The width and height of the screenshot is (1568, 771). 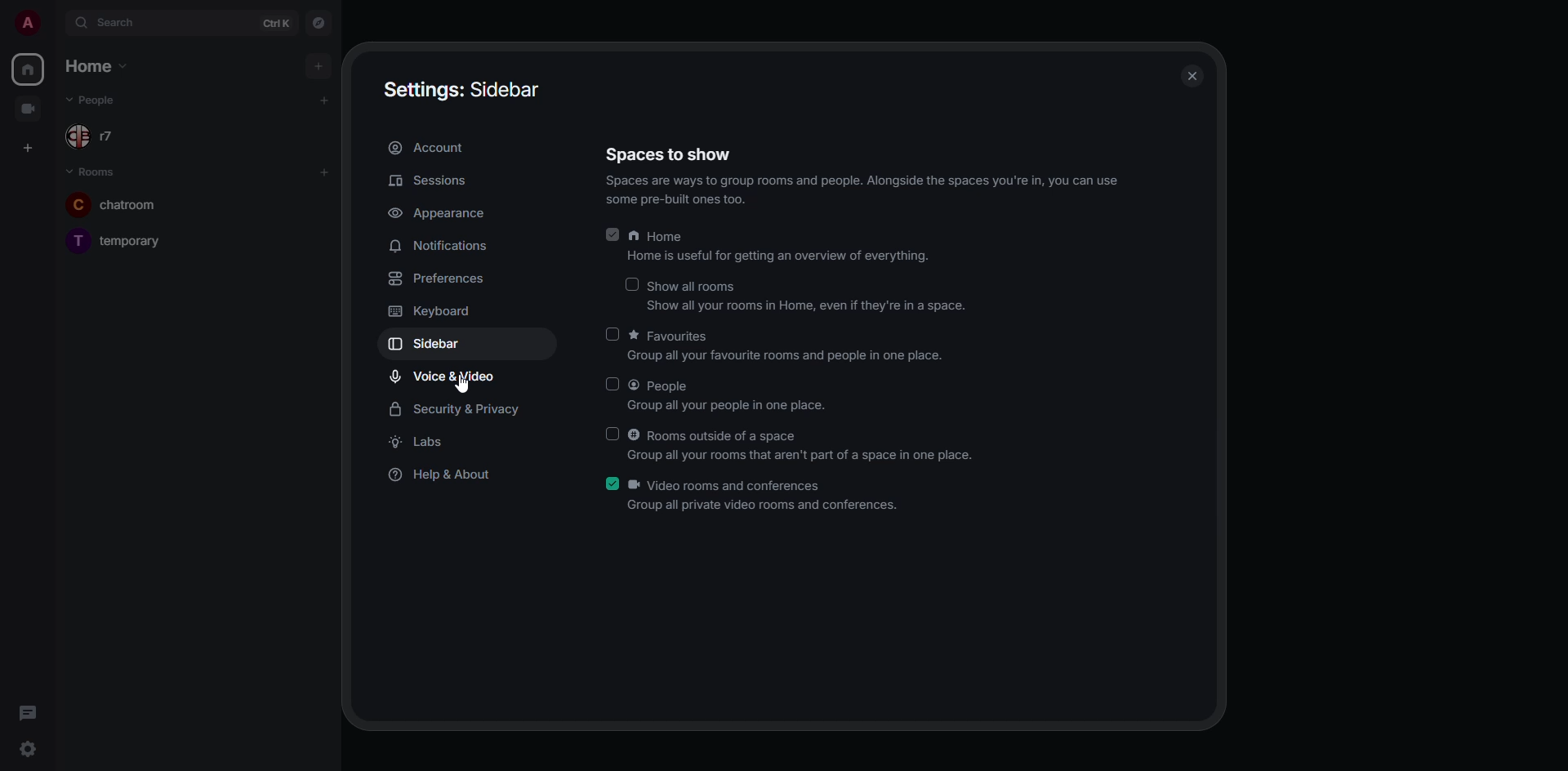 I want to click on preferences, so click(x=437, y=279).